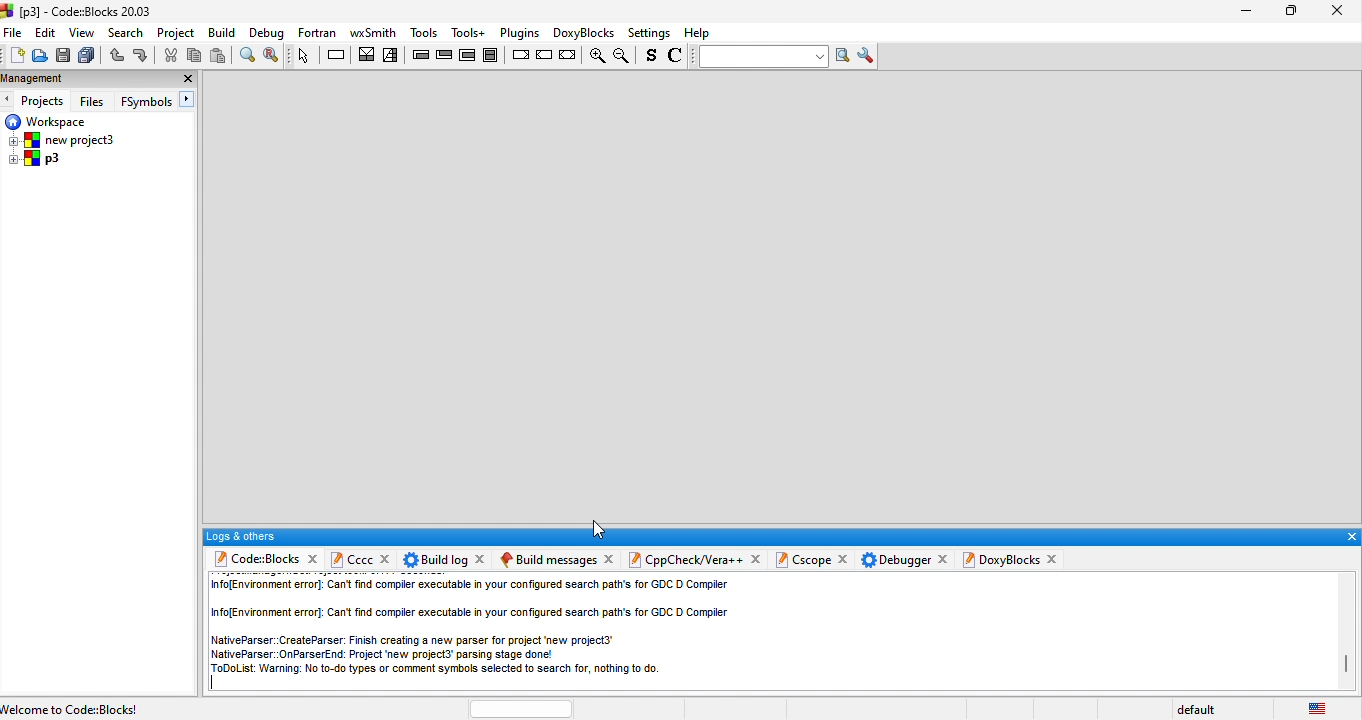 The height and width of the screenshot is (720, 1362). What do you see at coordinates (83, 33) in the screenshot?
I see `view` at bounding box center [83, 33].